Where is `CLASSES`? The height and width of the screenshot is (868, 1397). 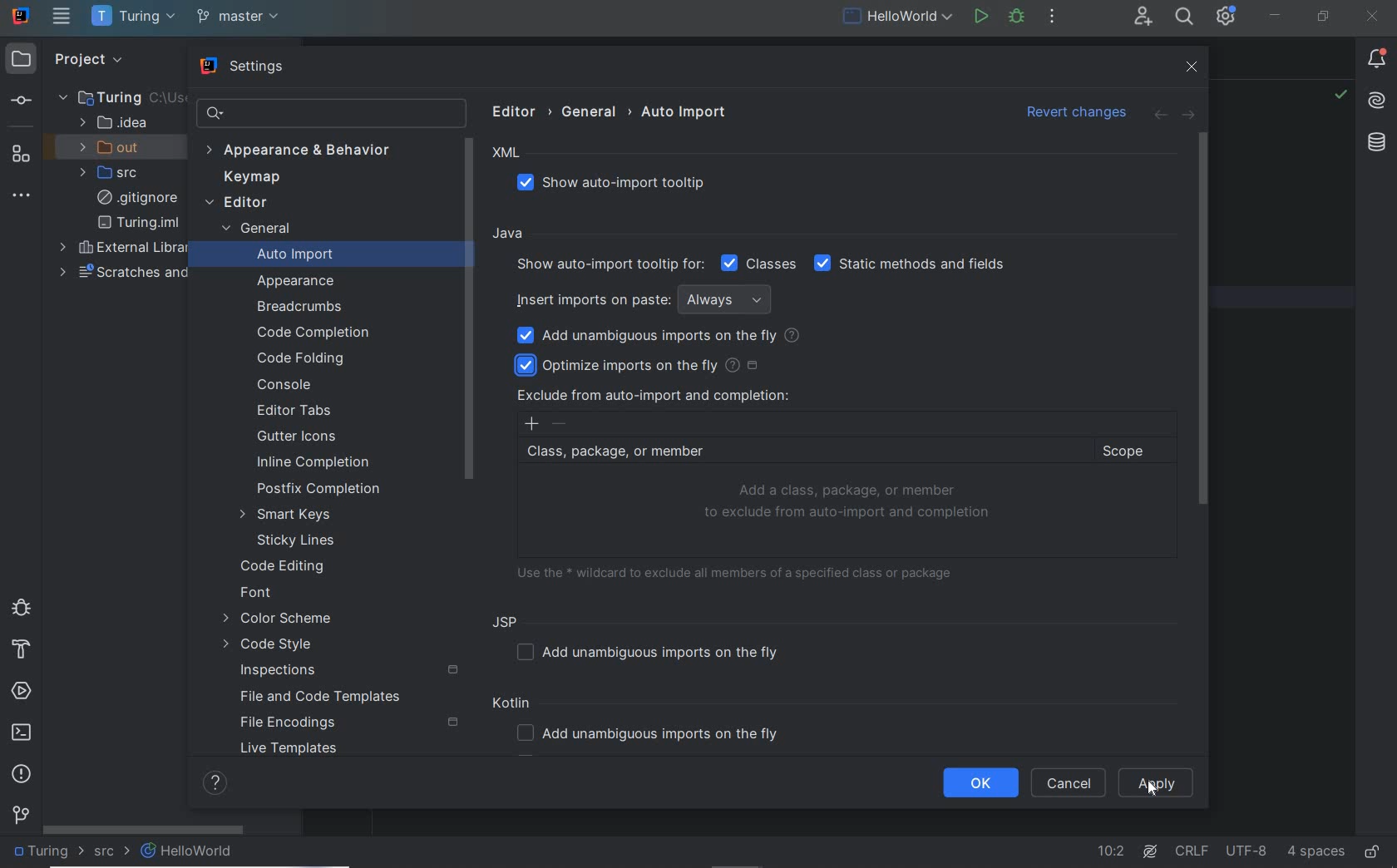 CLASSES is located at coordinates (759, 263).